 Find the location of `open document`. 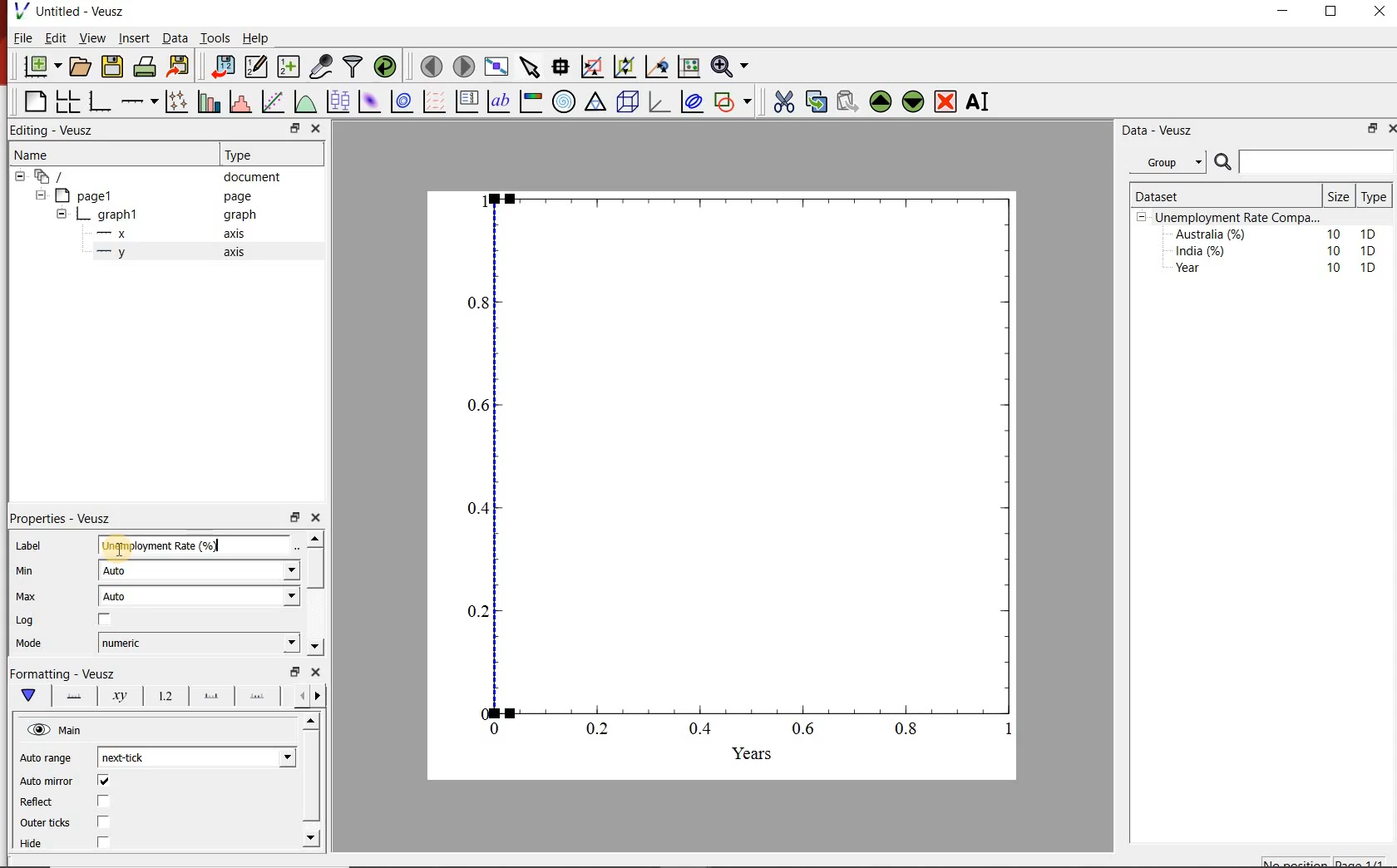

open document is located at coordinates (81, 67).